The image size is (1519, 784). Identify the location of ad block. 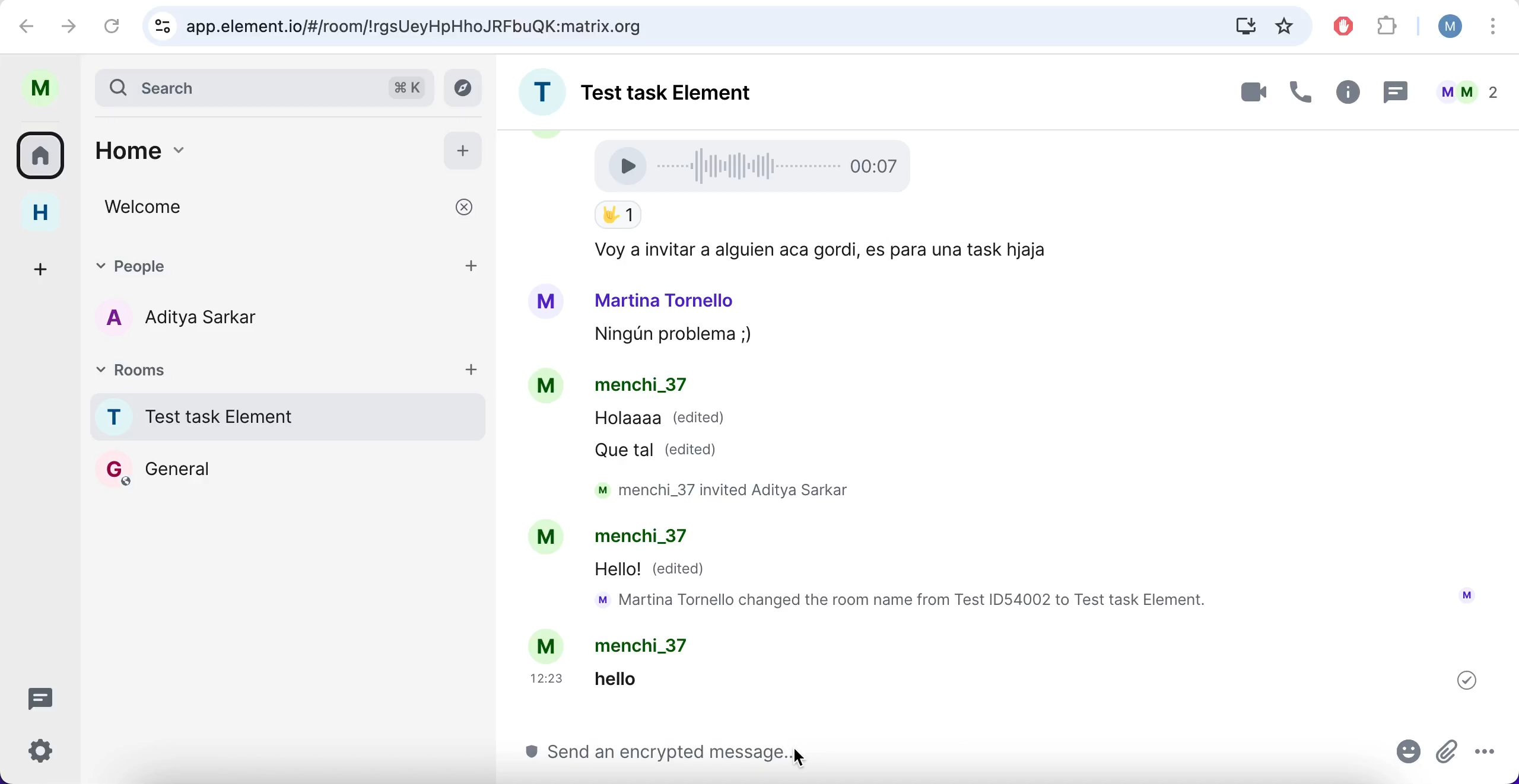
(1346, 27).